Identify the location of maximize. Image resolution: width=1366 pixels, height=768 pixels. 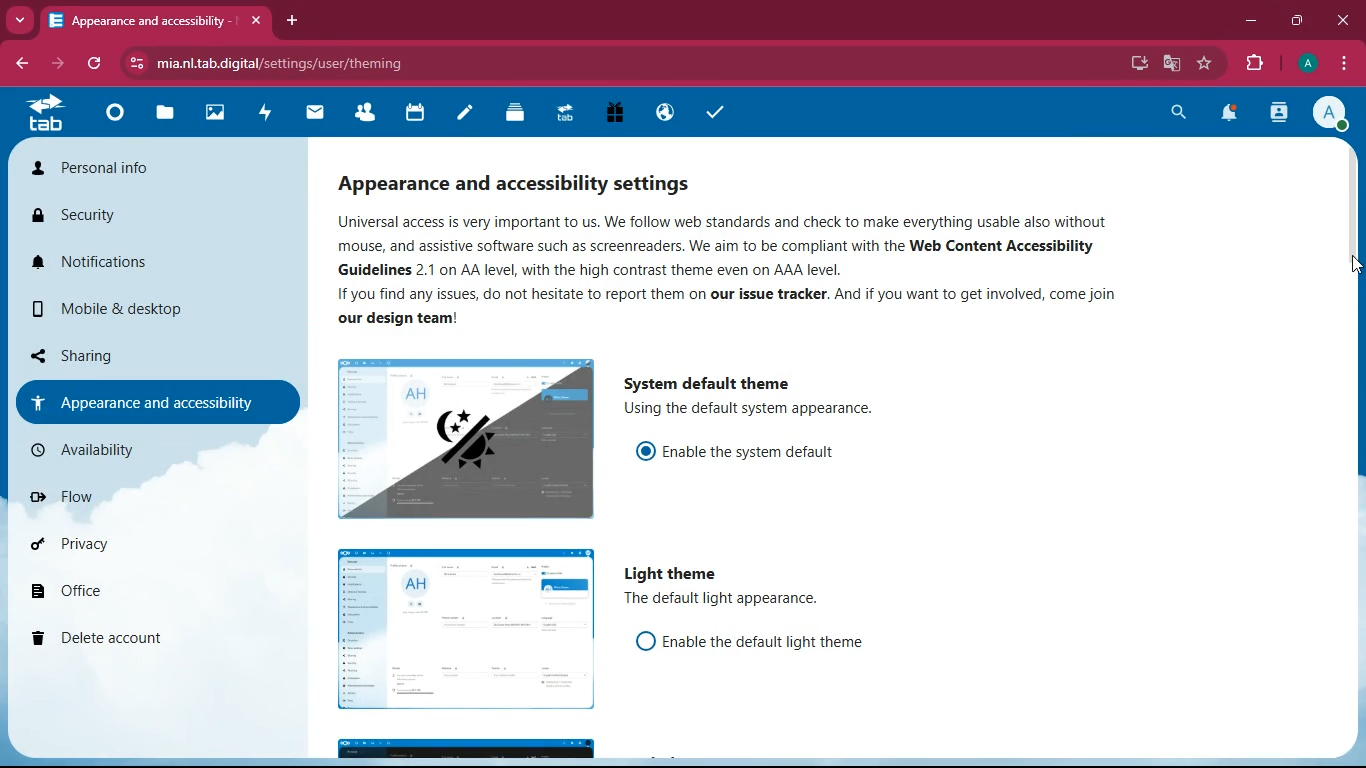
(1298, 22).